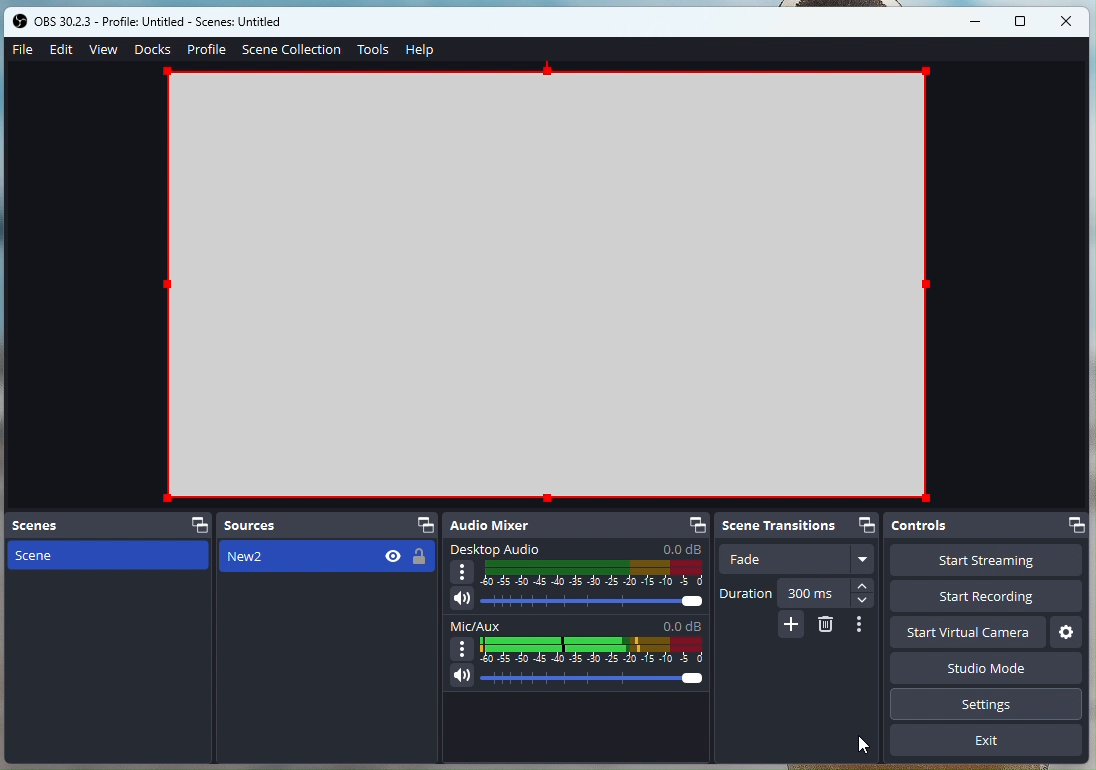  What do you see at coordinates (473, 624) in the screenshot?
I see `Mic/Aux` at bounding box center [473, 624].